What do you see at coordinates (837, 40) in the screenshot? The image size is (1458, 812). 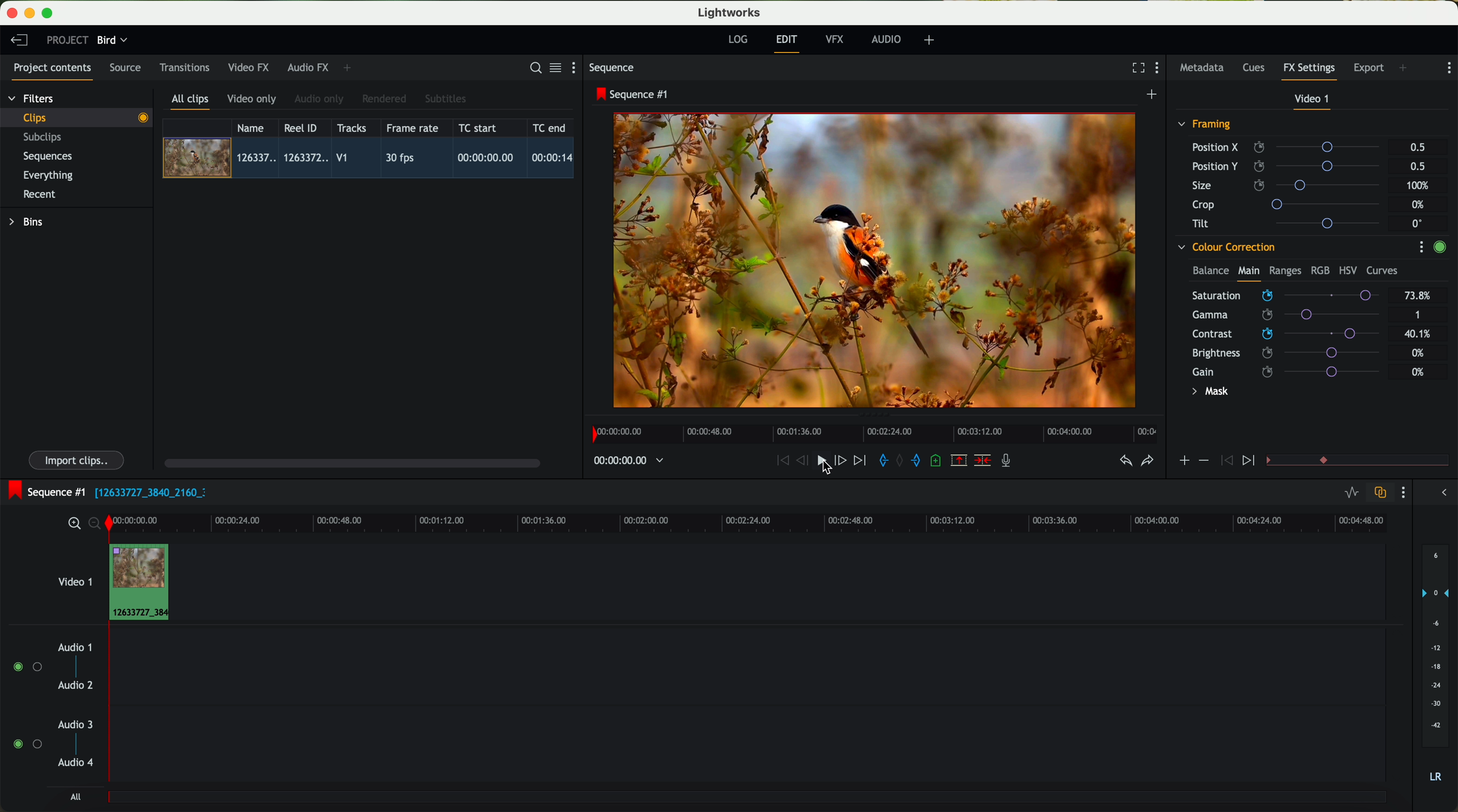 I see `VFX` at bounding box center [837, 40].